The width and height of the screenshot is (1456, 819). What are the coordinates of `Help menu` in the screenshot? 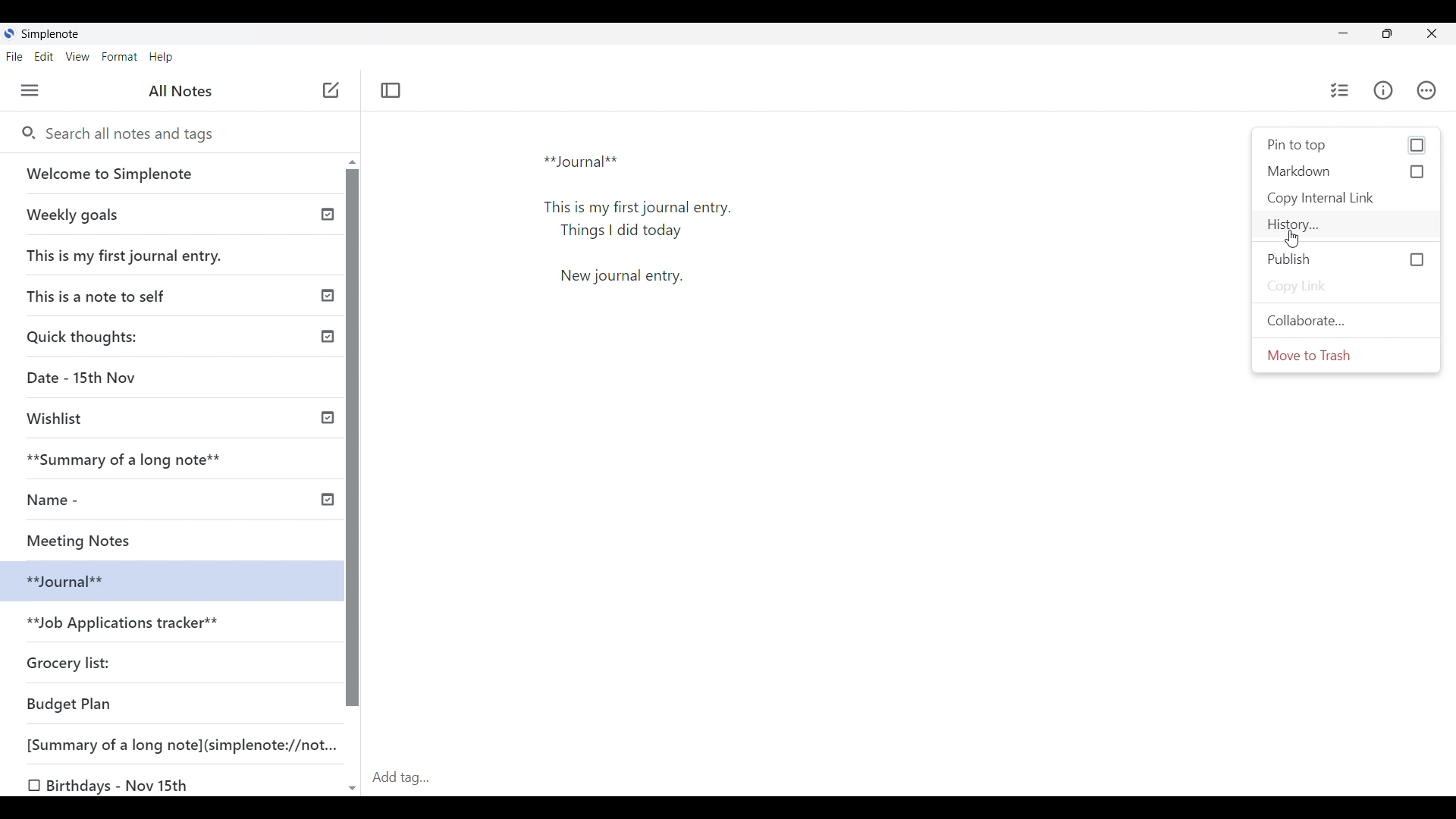 It's located at (162, 58).